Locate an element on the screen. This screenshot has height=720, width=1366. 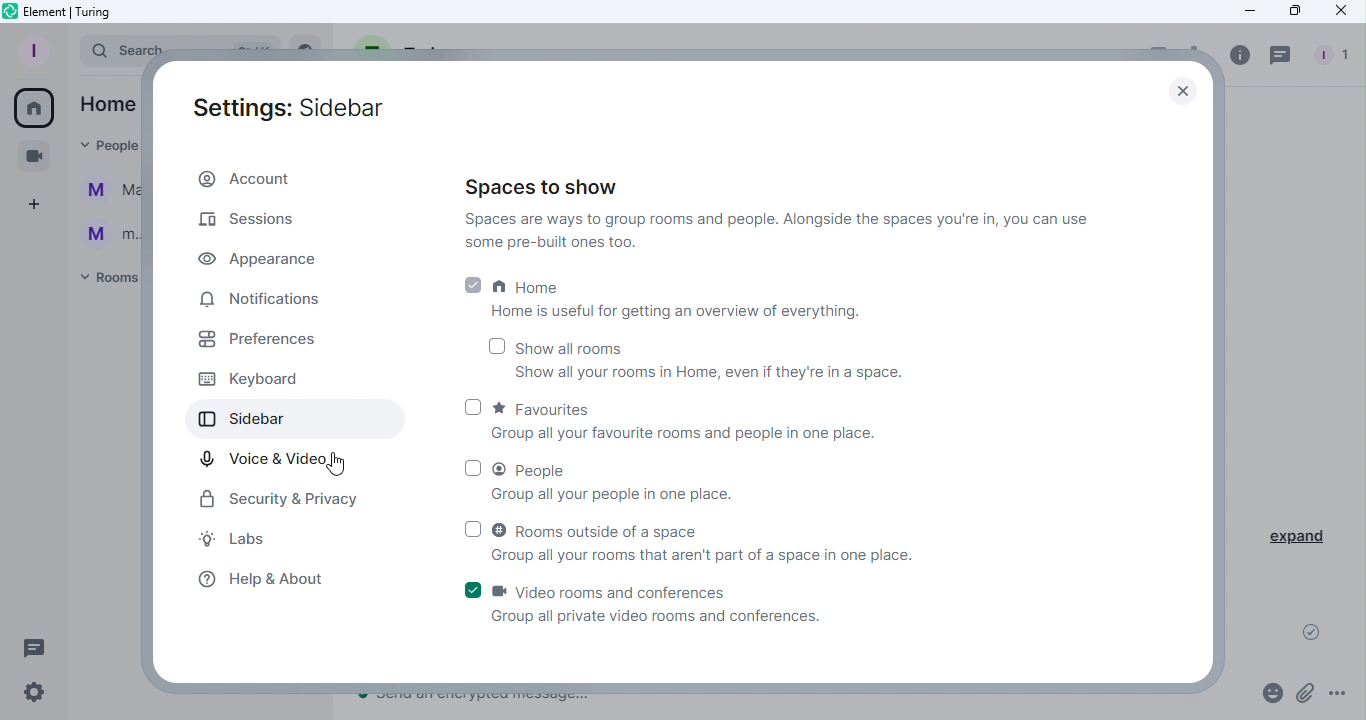
Sessions is located at coordinates (251, 214).